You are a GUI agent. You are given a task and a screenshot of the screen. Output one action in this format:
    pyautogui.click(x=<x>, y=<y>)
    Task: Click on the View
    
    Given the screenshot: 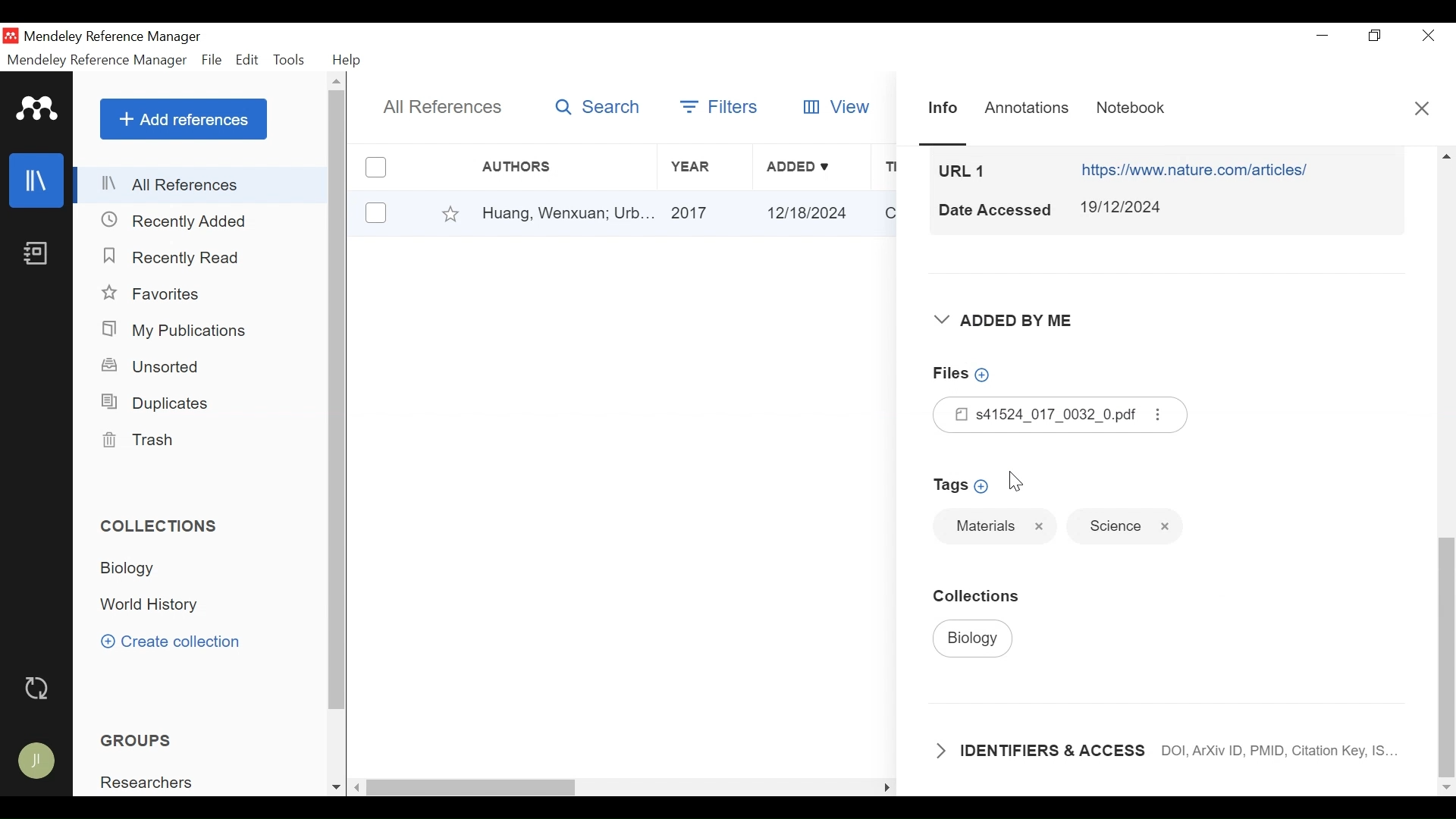 What is the action you would take?
    pyautogui.click(x=839, y=105)
    